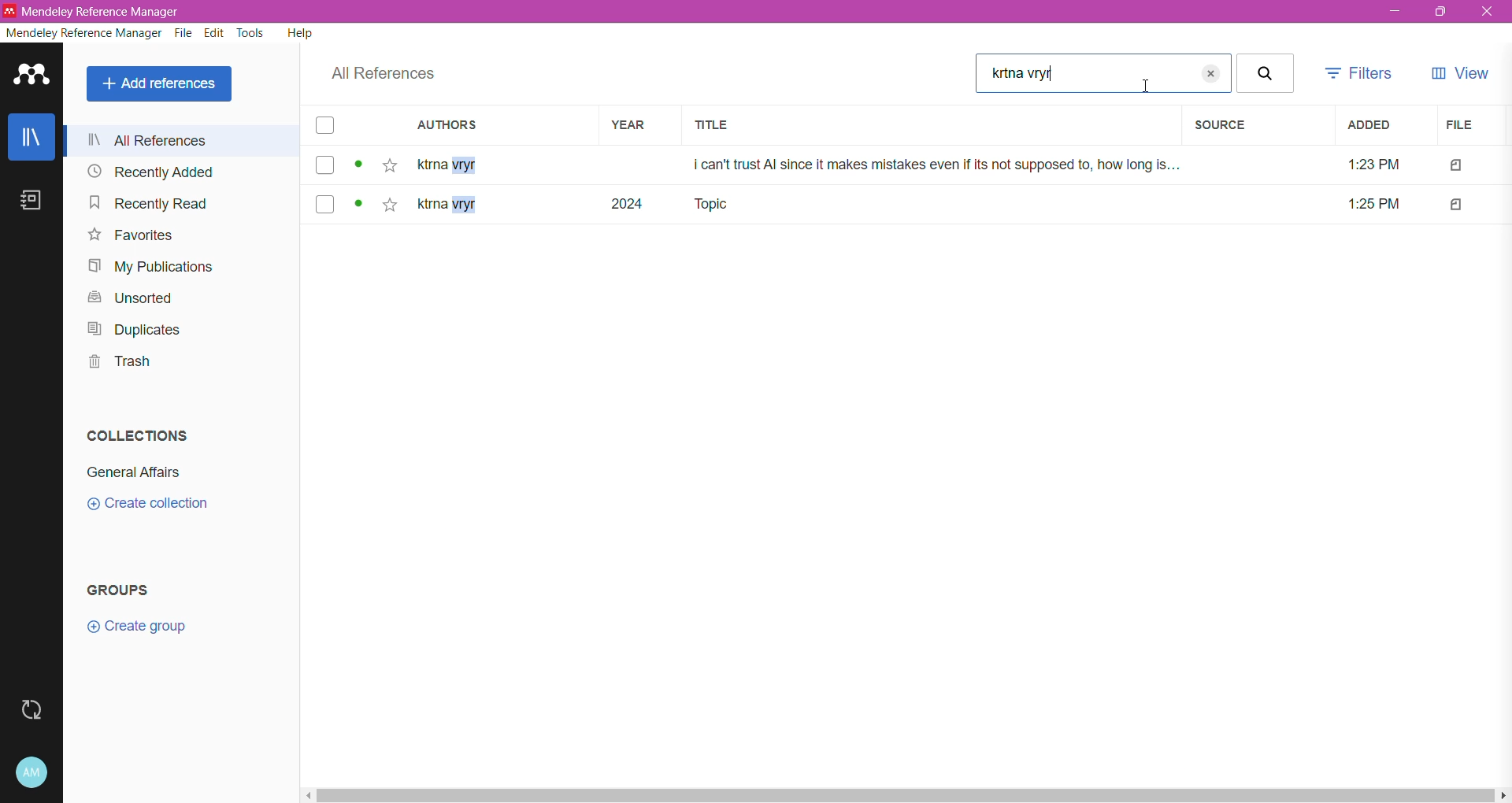 The width and height of the screenshot is (1512, 803). Describe the element at coordinates (162, 631) in the screenshot. I see `Click to Create New Group` at that location.